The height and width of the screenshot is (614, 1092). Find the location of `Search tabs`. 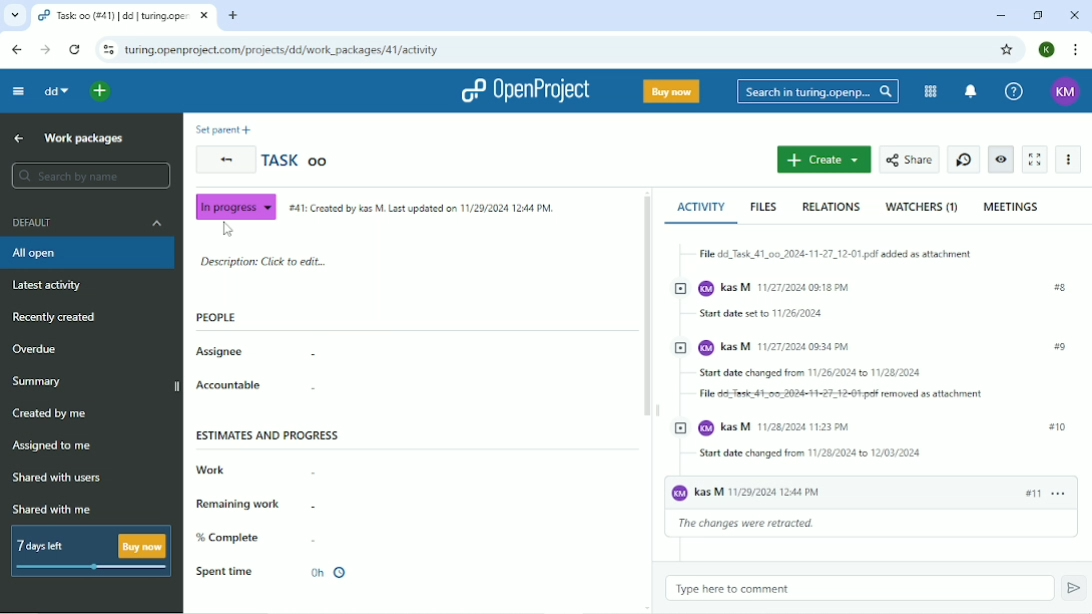

Search tabs is located at coordinates (15, 14).